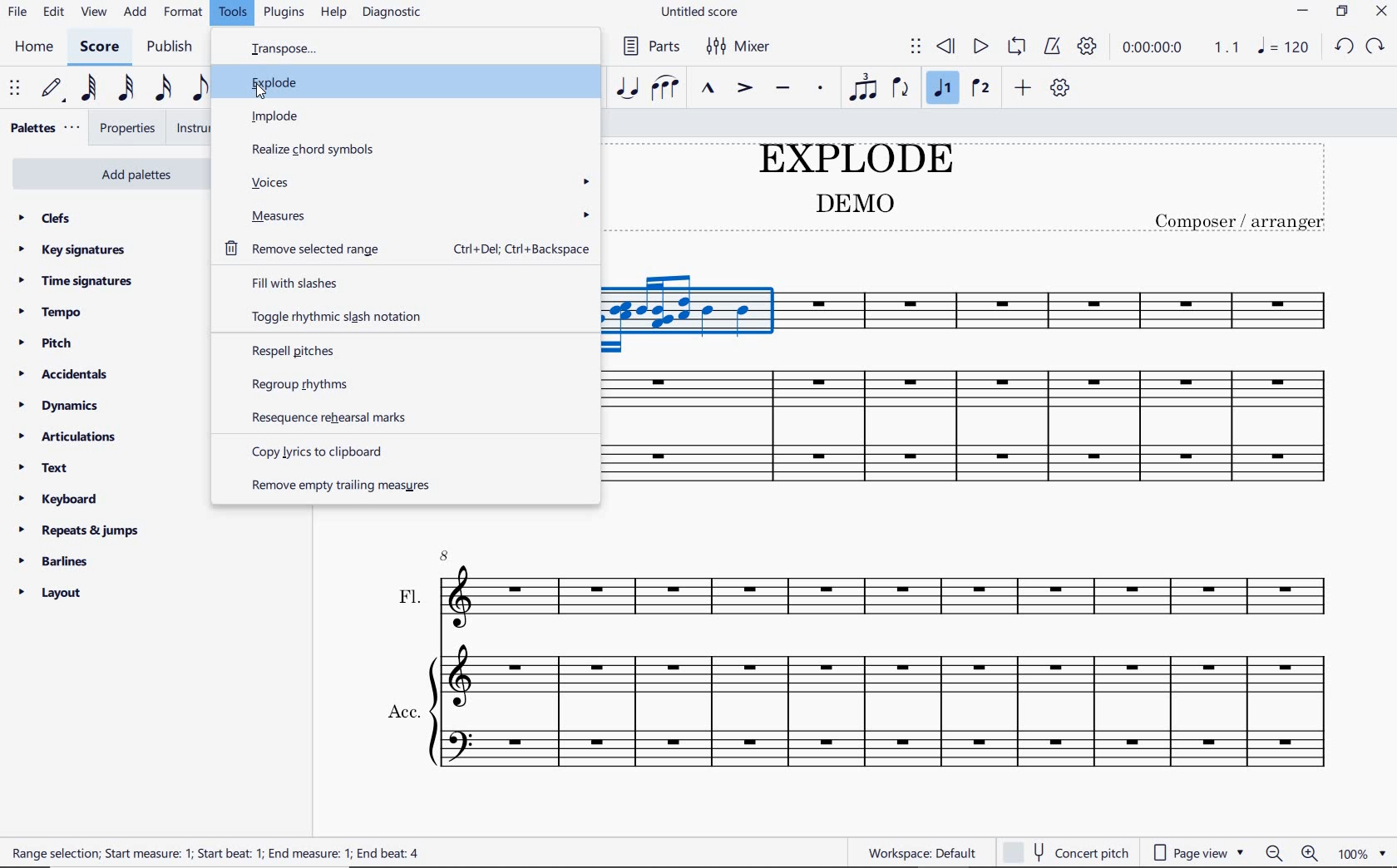 The width and height of the screenshot is (1397, 868). I want to click on redo, so click(1341, 49).